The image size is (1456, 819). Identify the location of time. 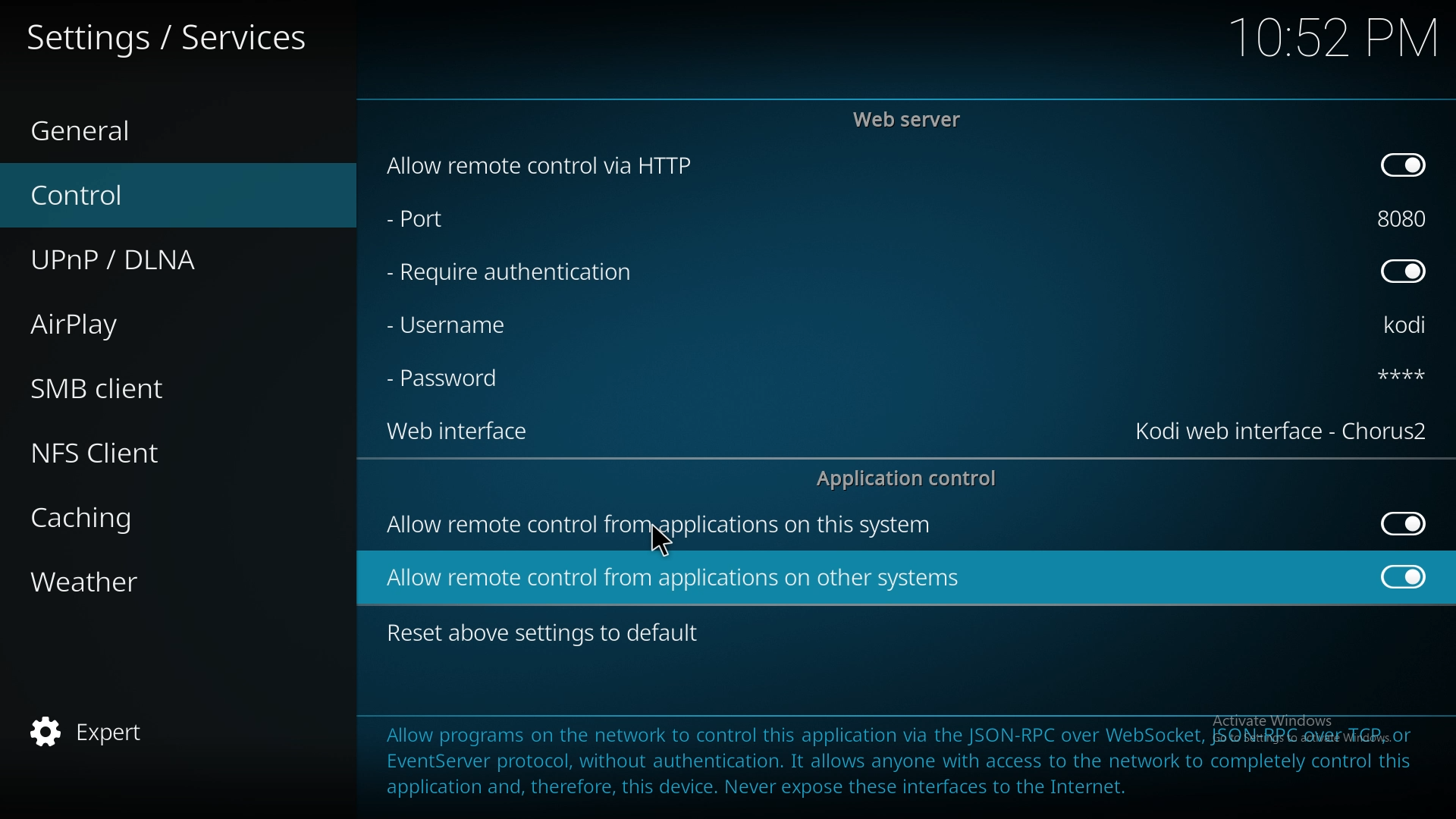
(1333, 36).